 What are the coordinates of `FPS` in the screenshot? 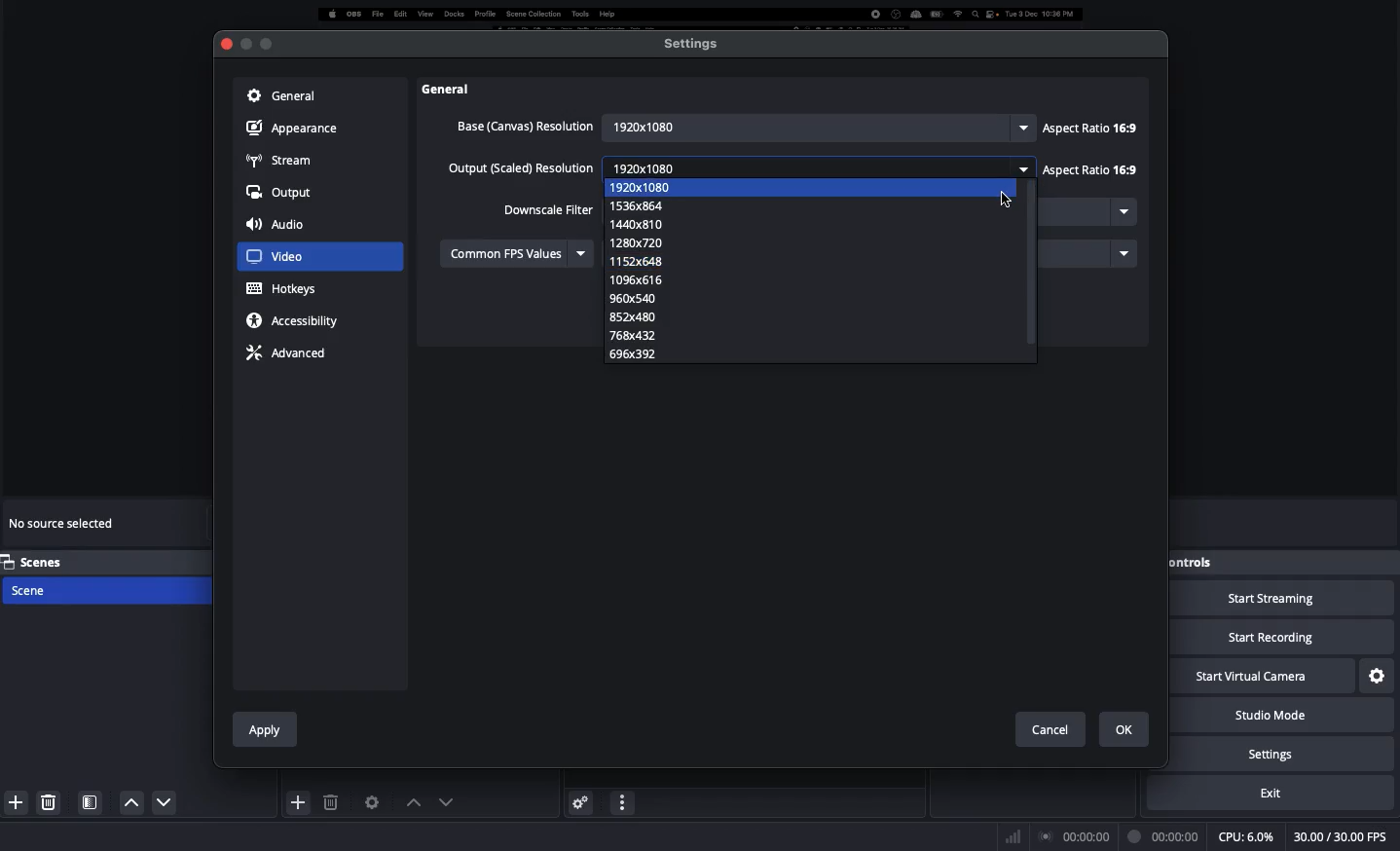 It's located at (1344, 837).